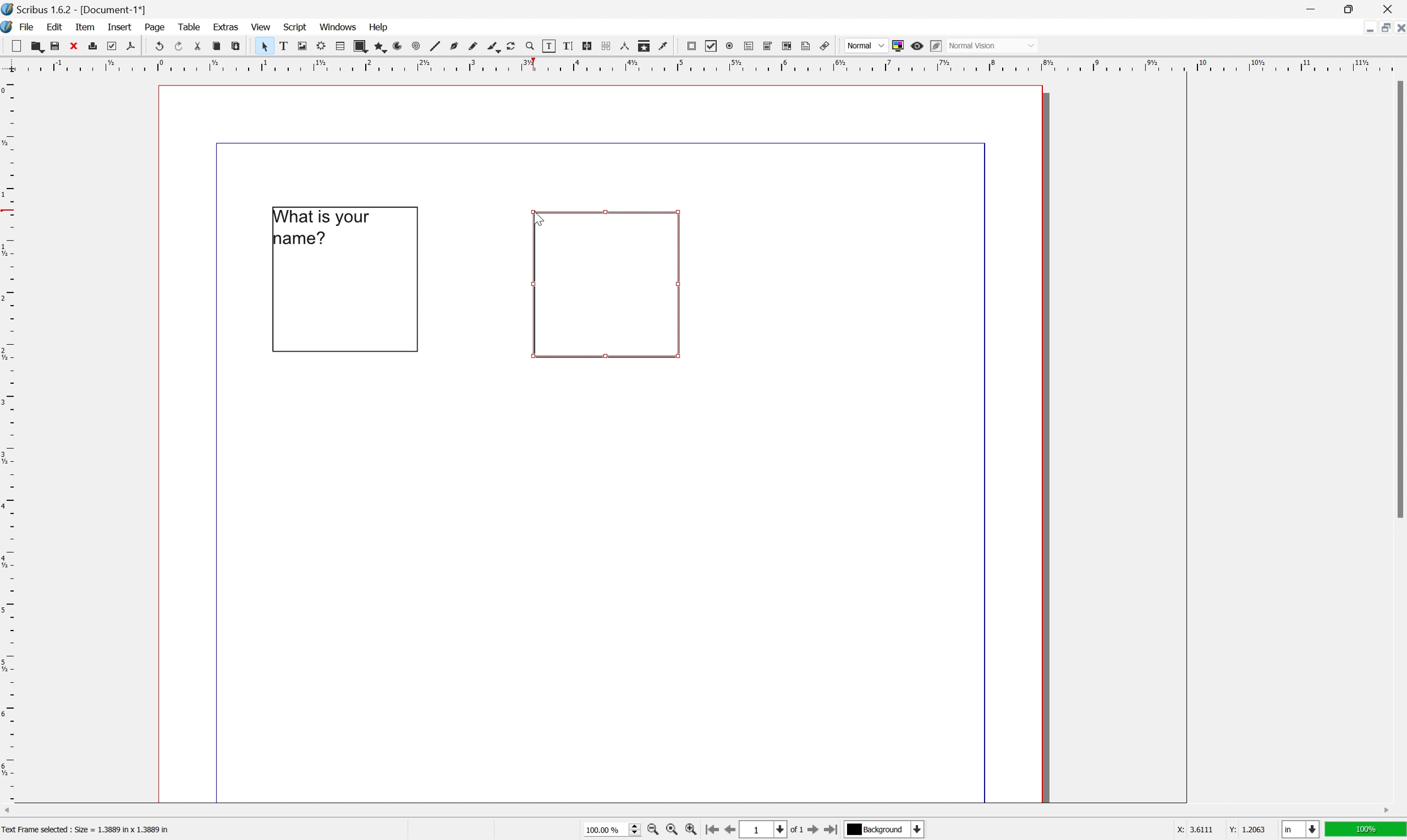  I want to click on copy, so click(216, 47).